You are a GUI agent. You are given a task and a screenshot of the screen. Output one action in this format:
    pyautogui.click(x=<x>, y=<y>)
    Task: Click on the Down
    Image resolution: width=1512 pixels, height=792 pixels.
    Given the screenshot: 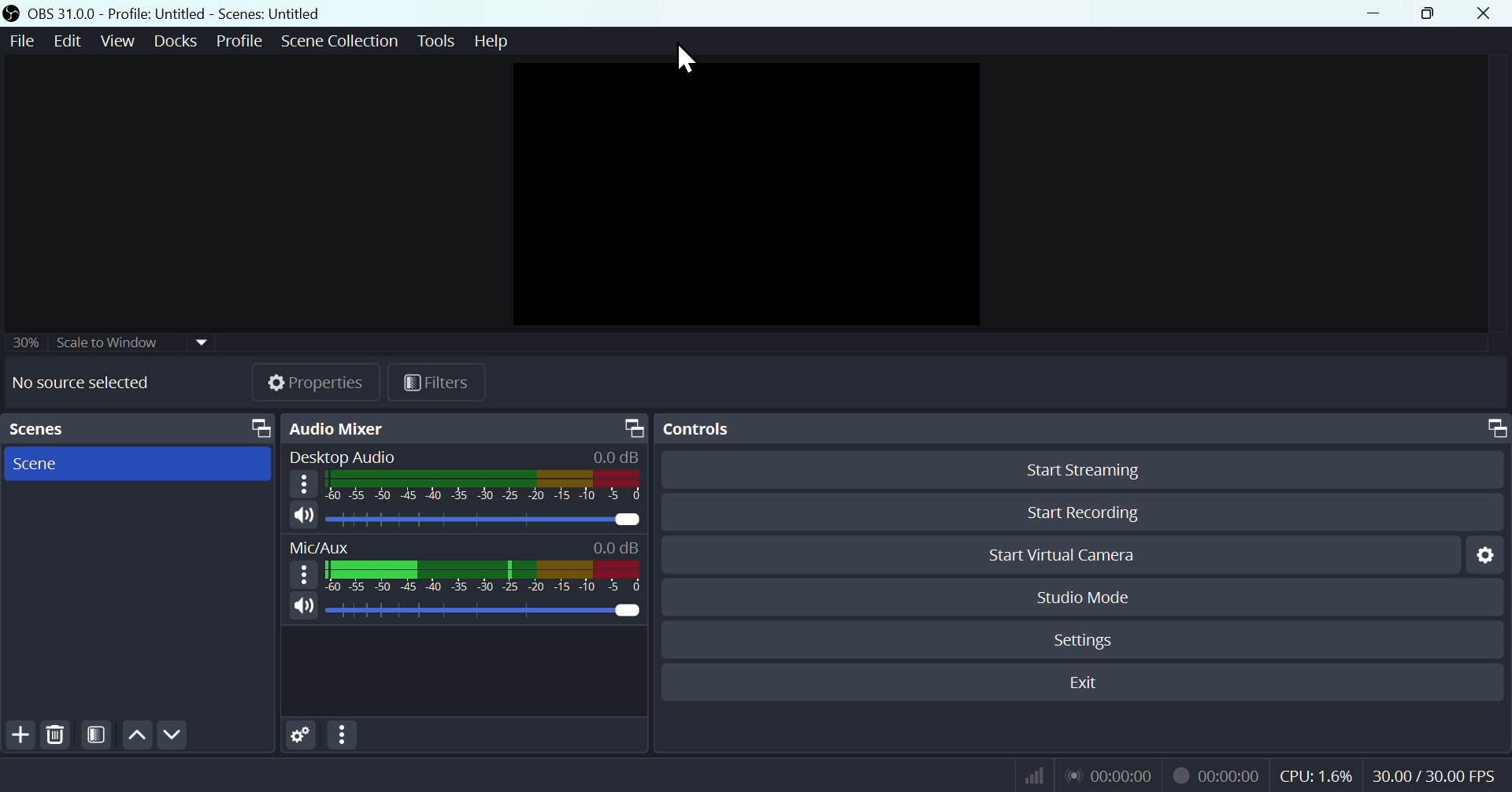 What is the action you would take?
    pyautogui.click(x=172, y=735)
    